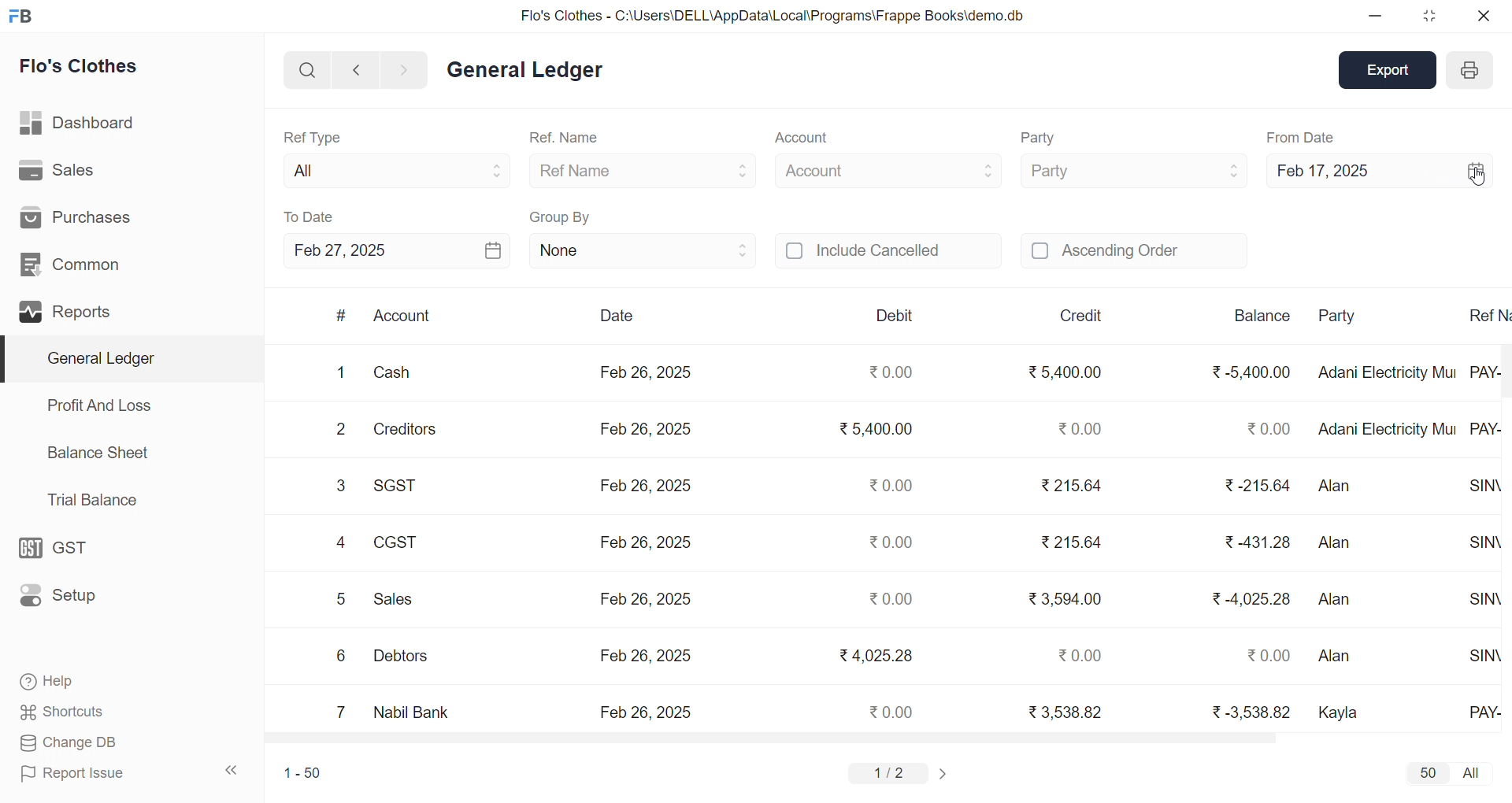  What do you see at coordinates (875, 655) in the screenshot?
I see `₹4,025.28` at bounding box center [875, 655].